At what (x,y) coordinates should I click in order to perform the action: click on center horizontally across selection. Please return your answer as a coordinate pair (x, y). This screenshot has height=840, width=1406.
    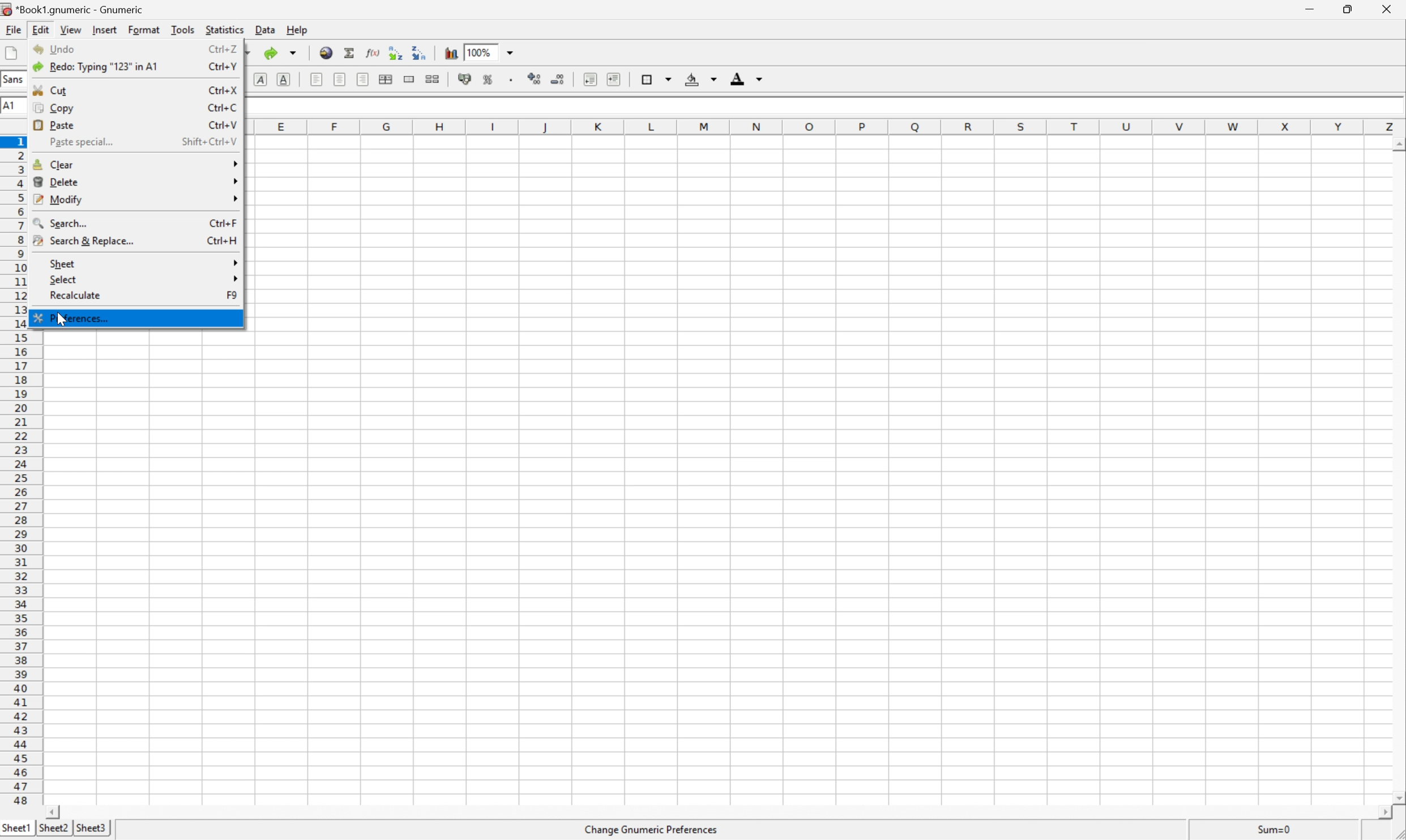
    Looking at the image, I should click on (387, 77).